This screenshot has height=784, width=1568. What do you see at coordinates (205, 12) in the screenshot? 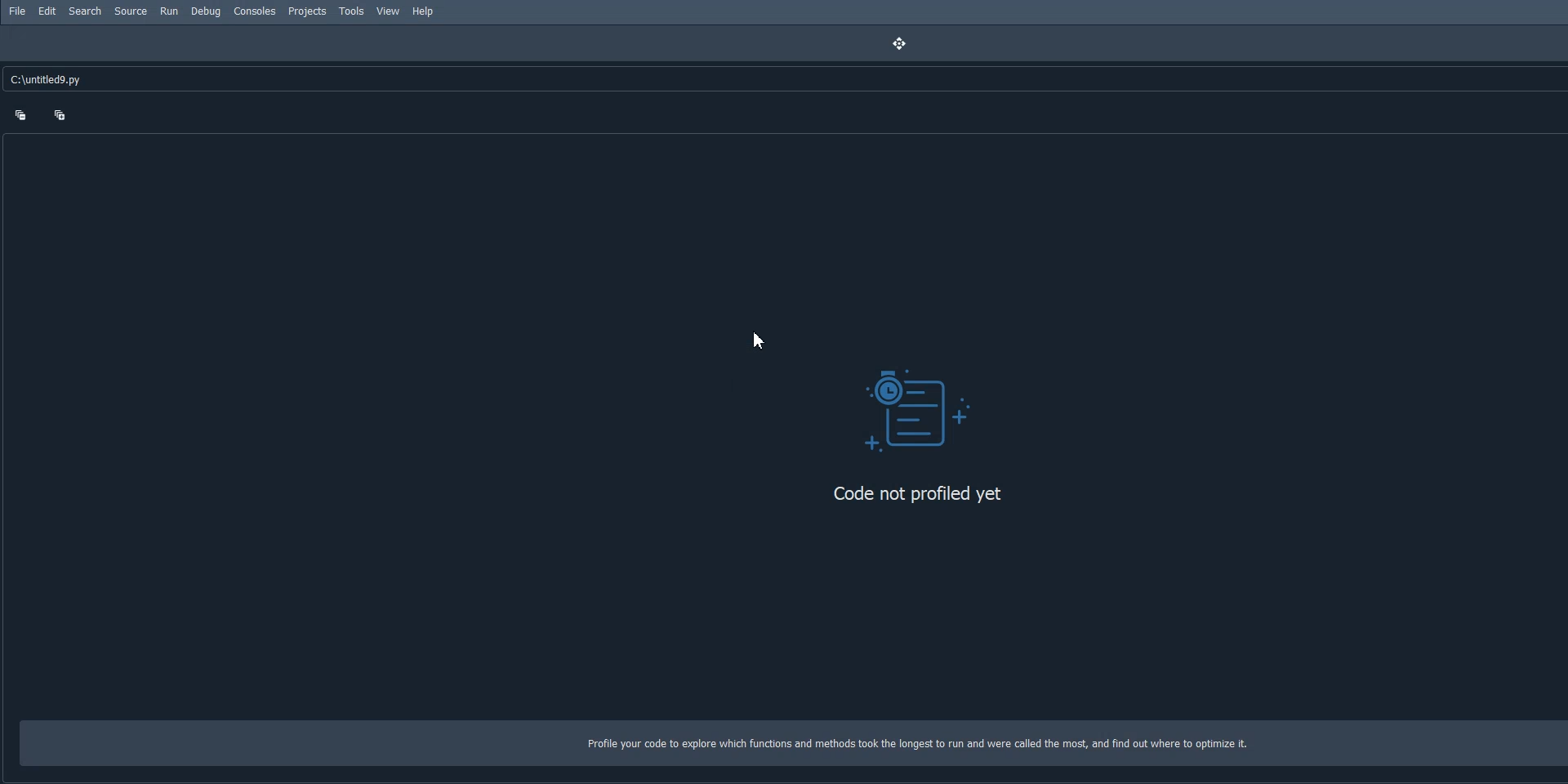
I see `Debug` at bounding box center [205, 12].